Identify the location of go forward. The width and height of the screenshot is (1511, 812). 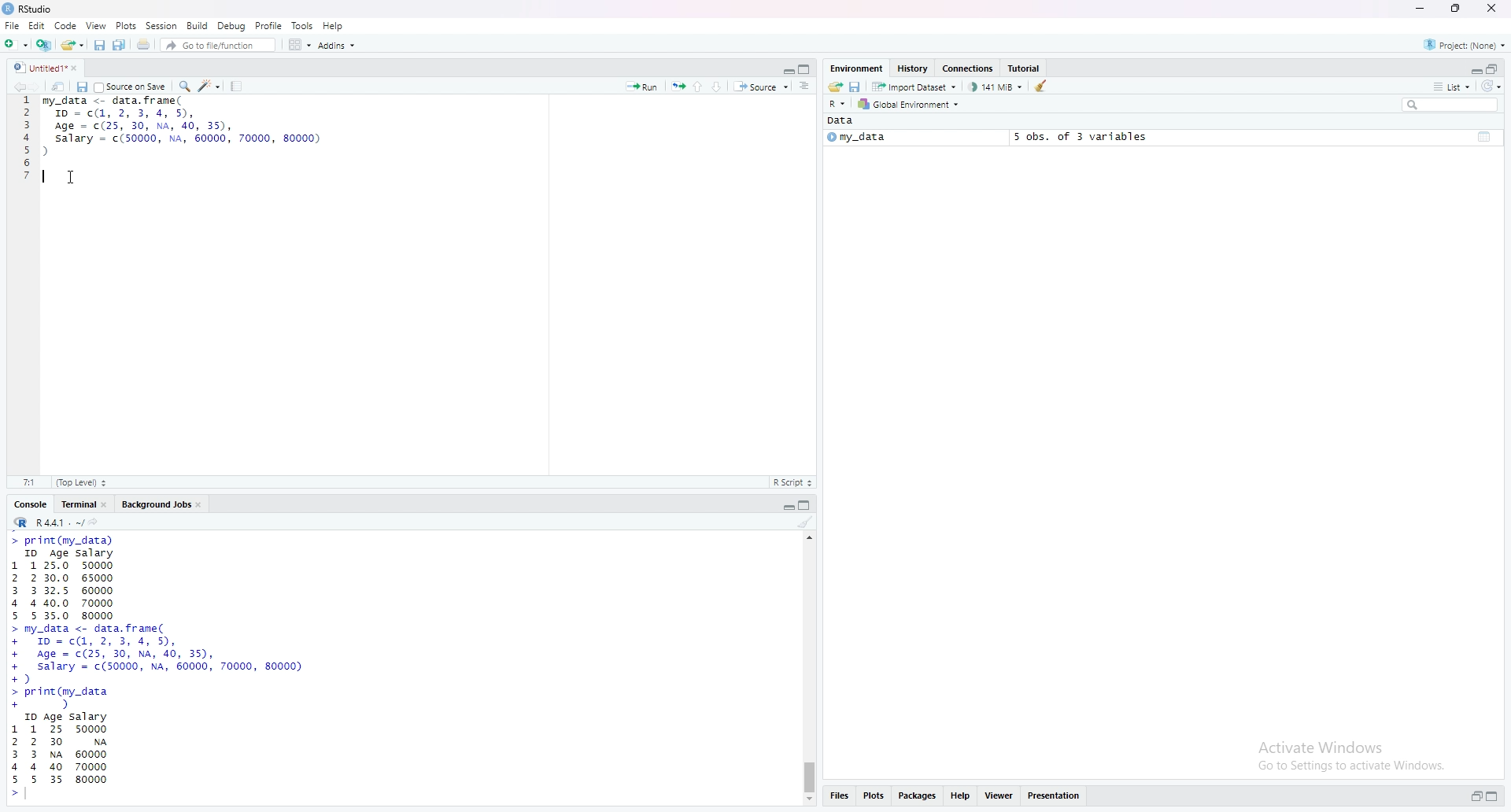
(36, 87).